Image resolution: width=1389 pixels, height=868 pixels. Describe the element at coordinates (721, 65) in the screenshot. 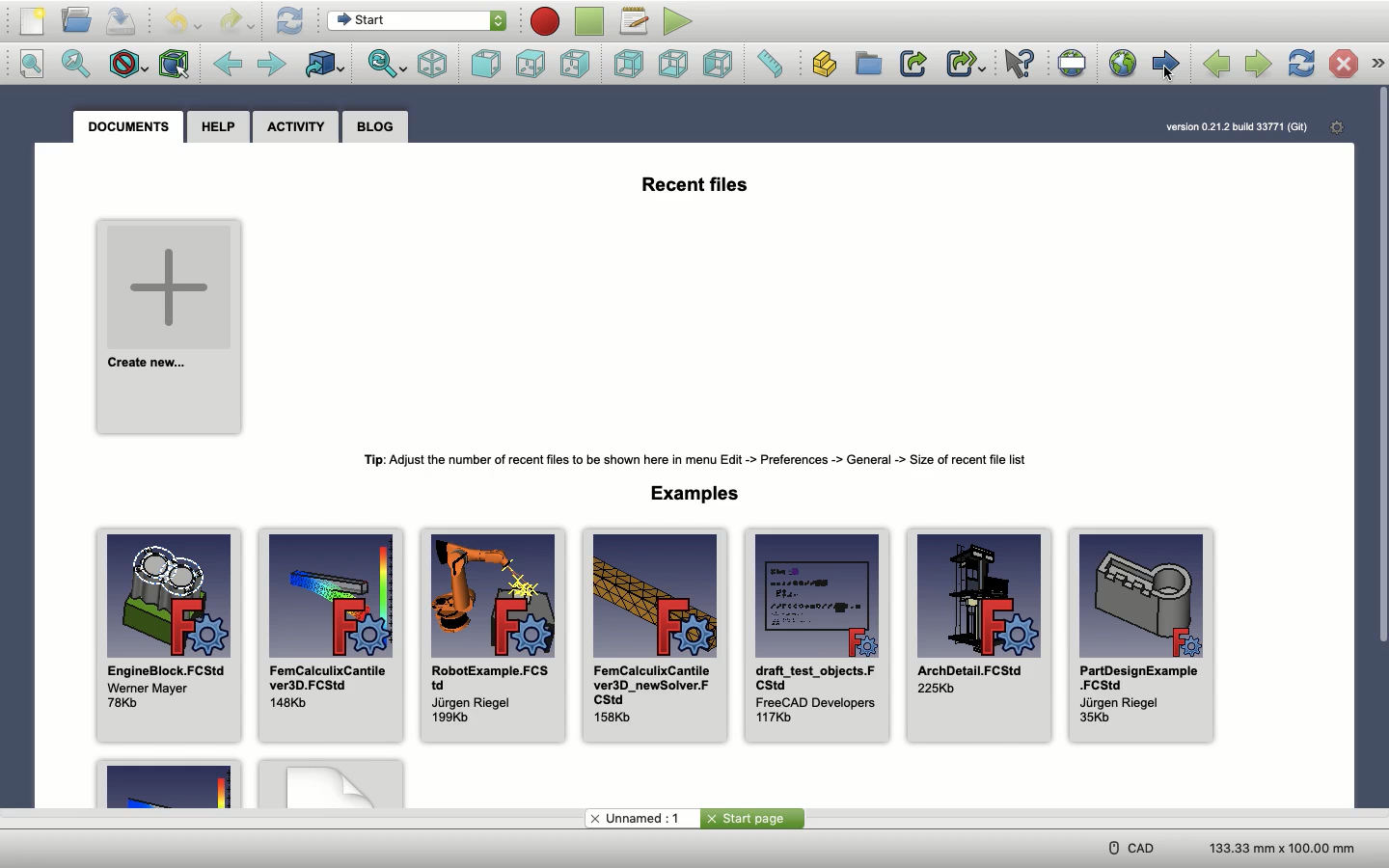

I see `Left` at that location.